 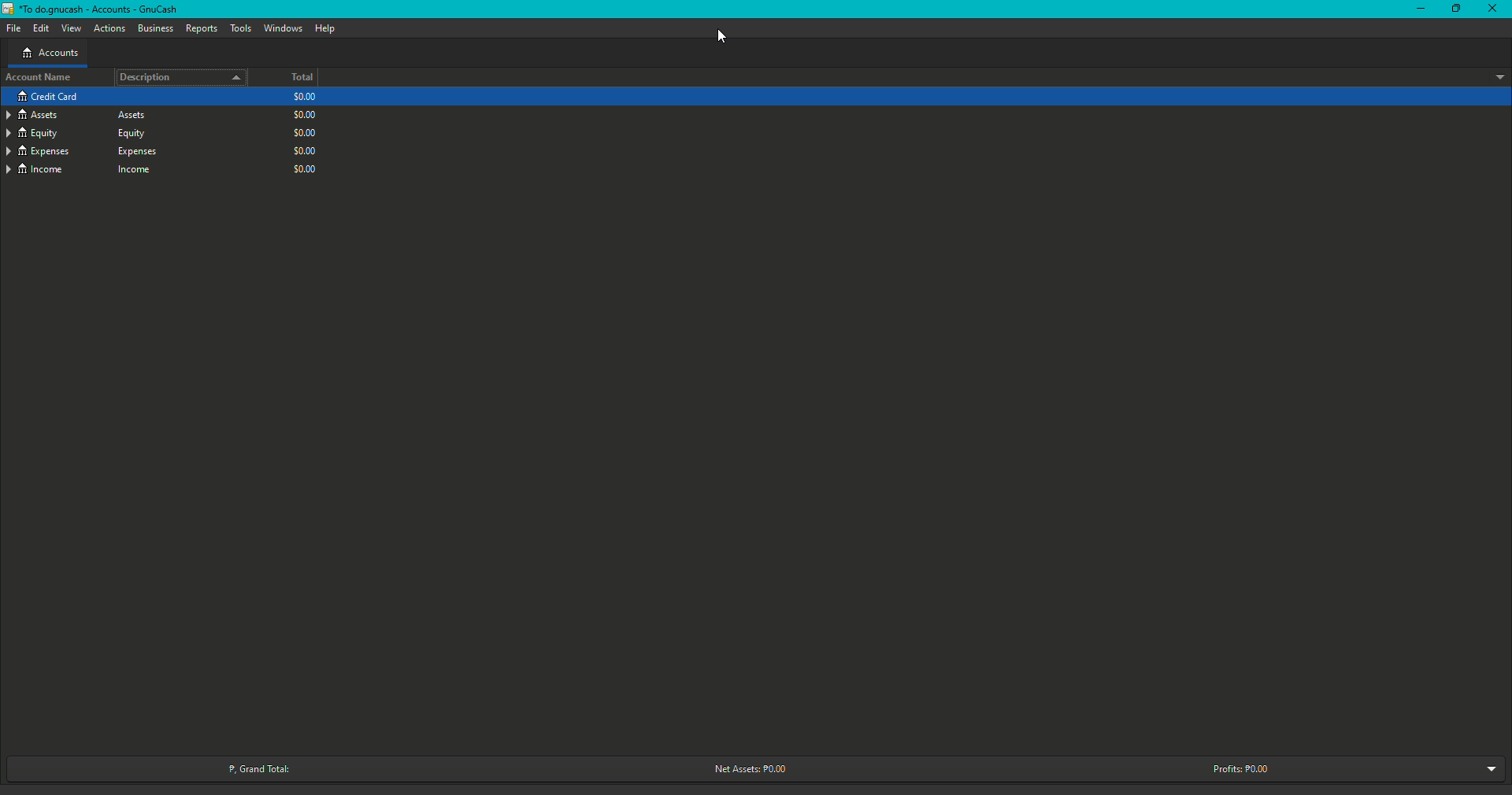 I want to click on Cursor, so click(x=721, y=36).